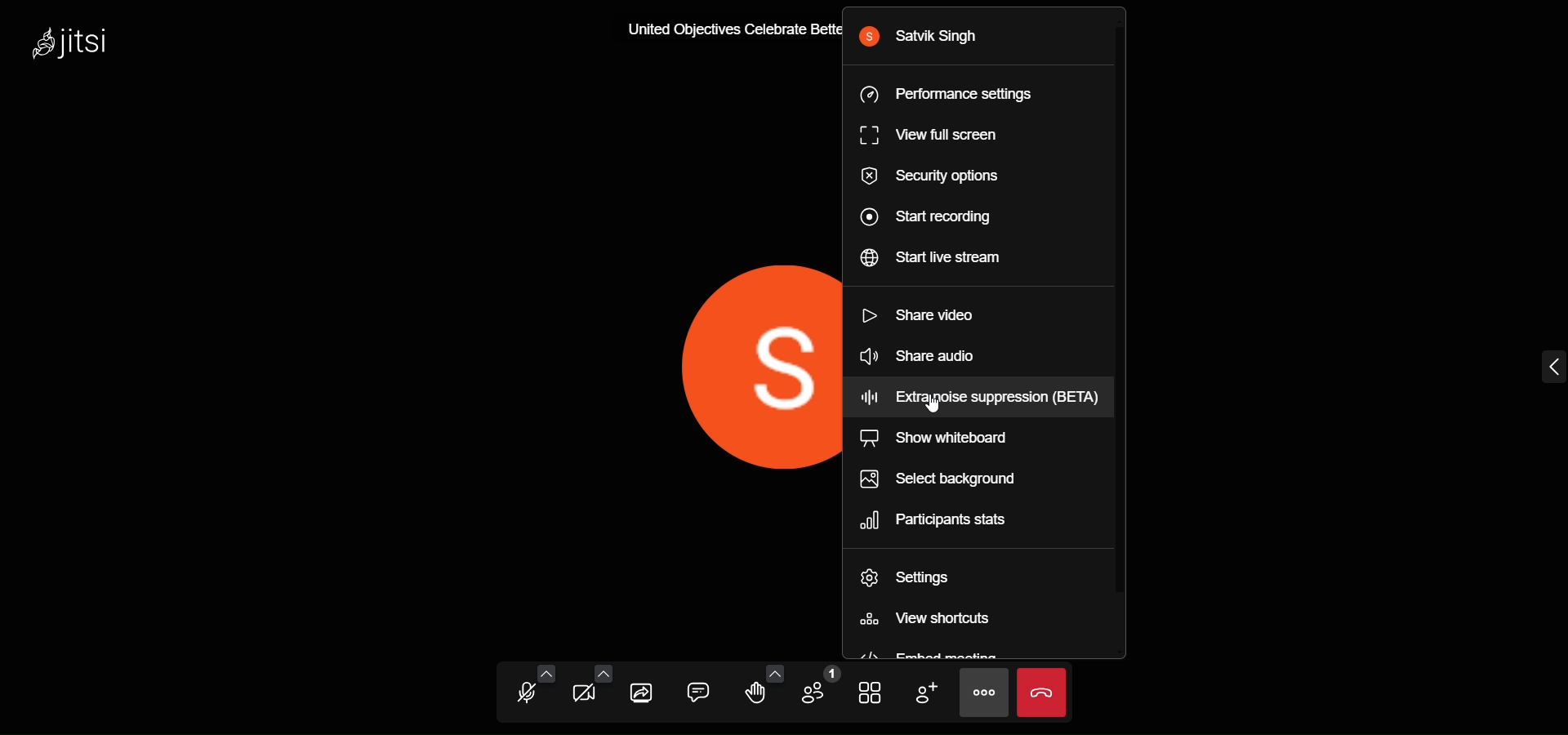 Image resolution: width=1568 pixels, height=735 pixels. I want to click on number of pparticipants, so click(817, 690).